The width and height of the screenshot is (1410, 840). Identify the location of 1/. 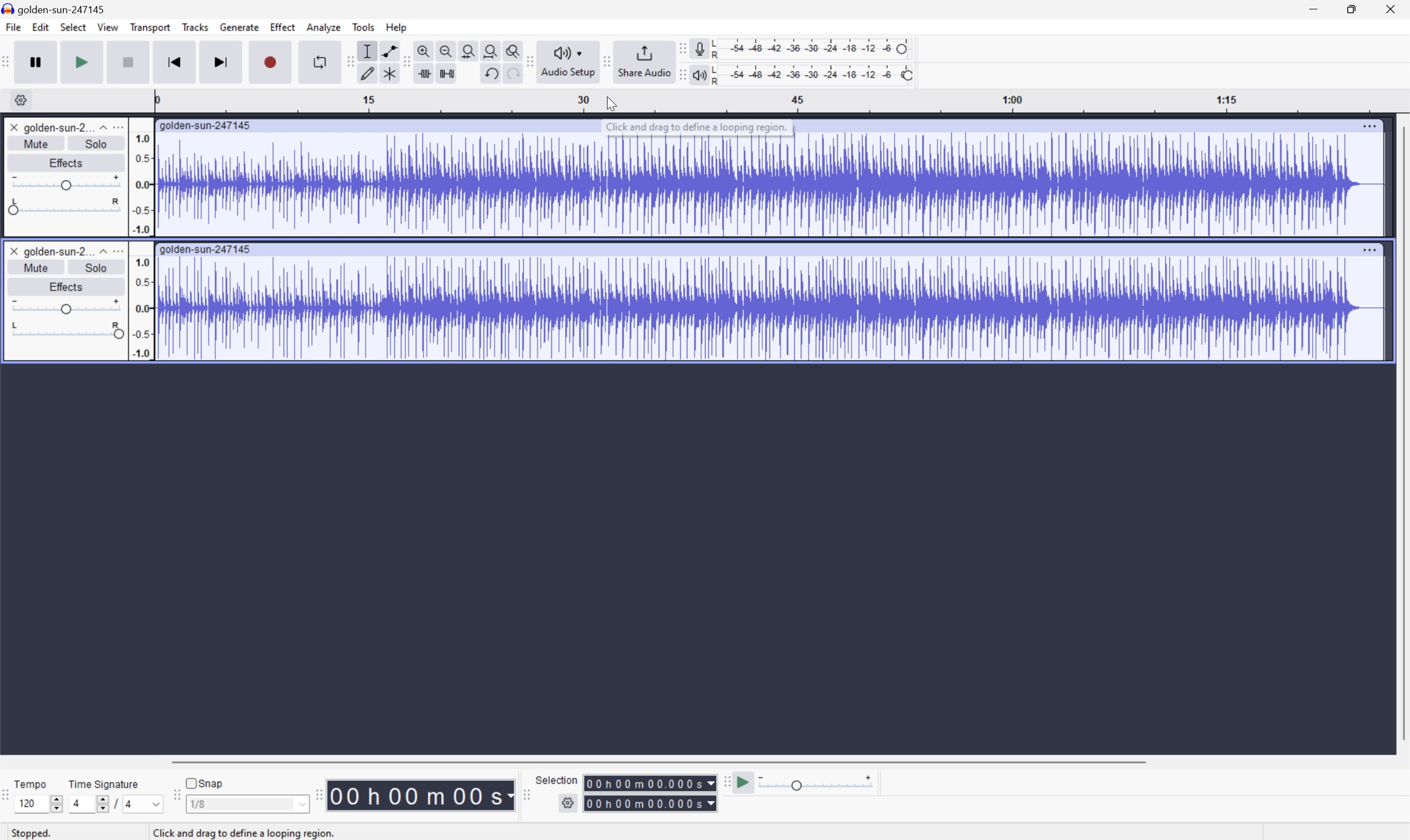
(248, 803).